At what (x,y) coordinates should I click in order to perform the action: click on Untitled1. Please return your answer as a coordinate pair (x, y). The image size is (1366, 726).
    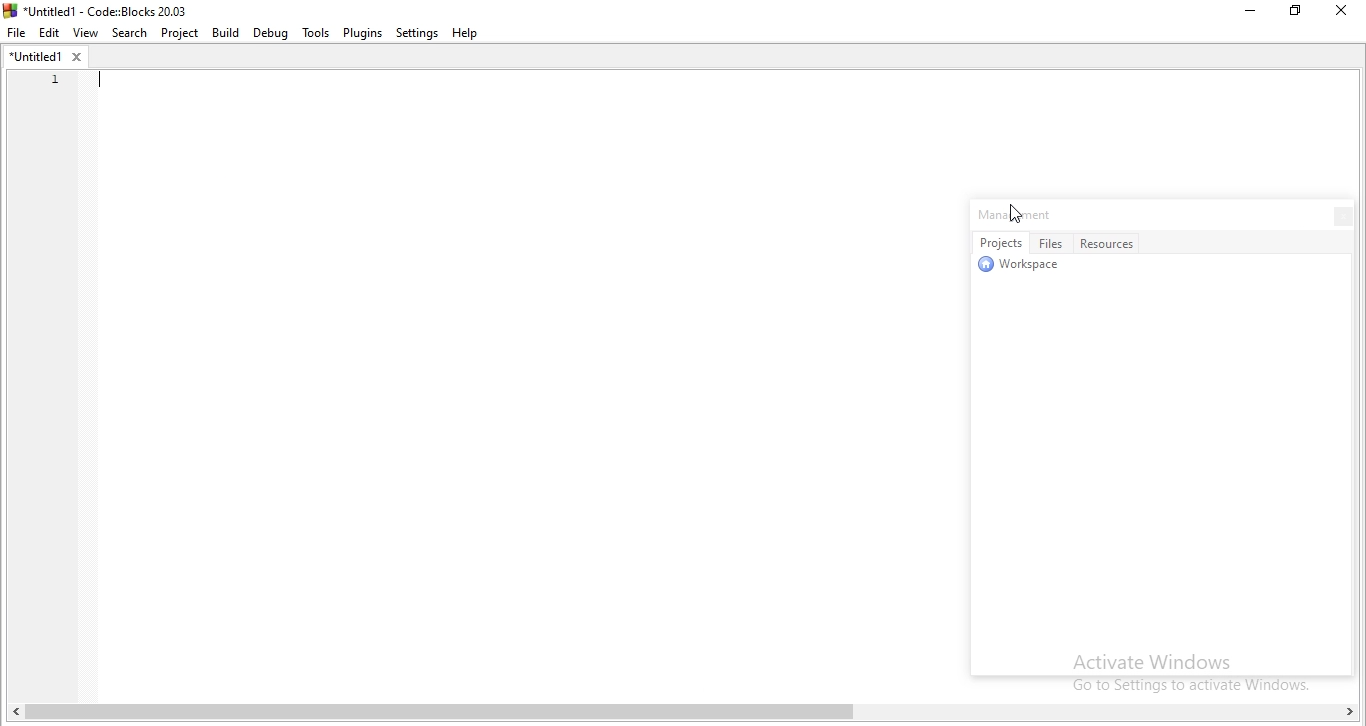
    Looking at the image, I should click on (44, 56).